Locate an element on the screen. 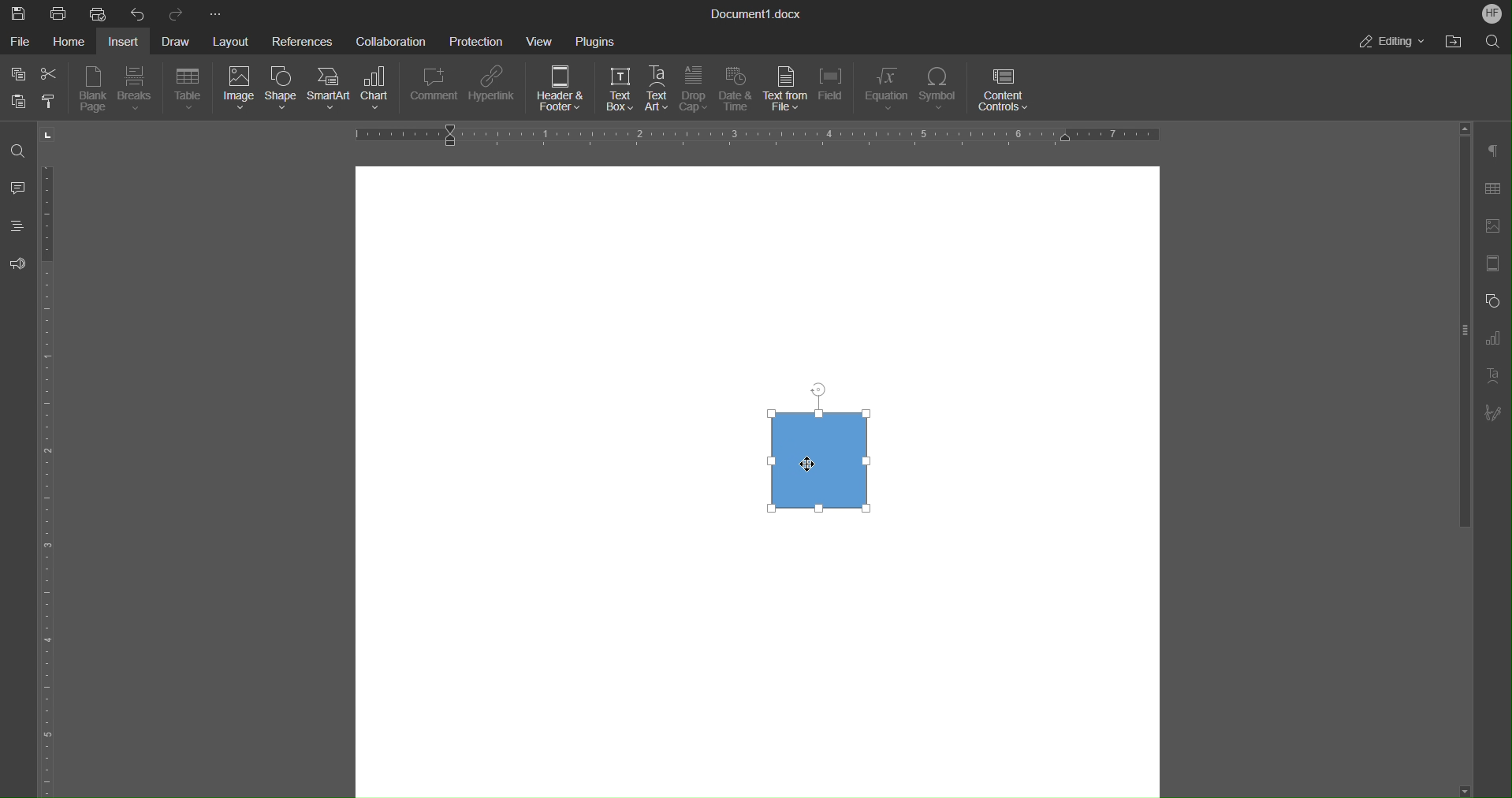  Date & Time is located at coordinates (738, 91).